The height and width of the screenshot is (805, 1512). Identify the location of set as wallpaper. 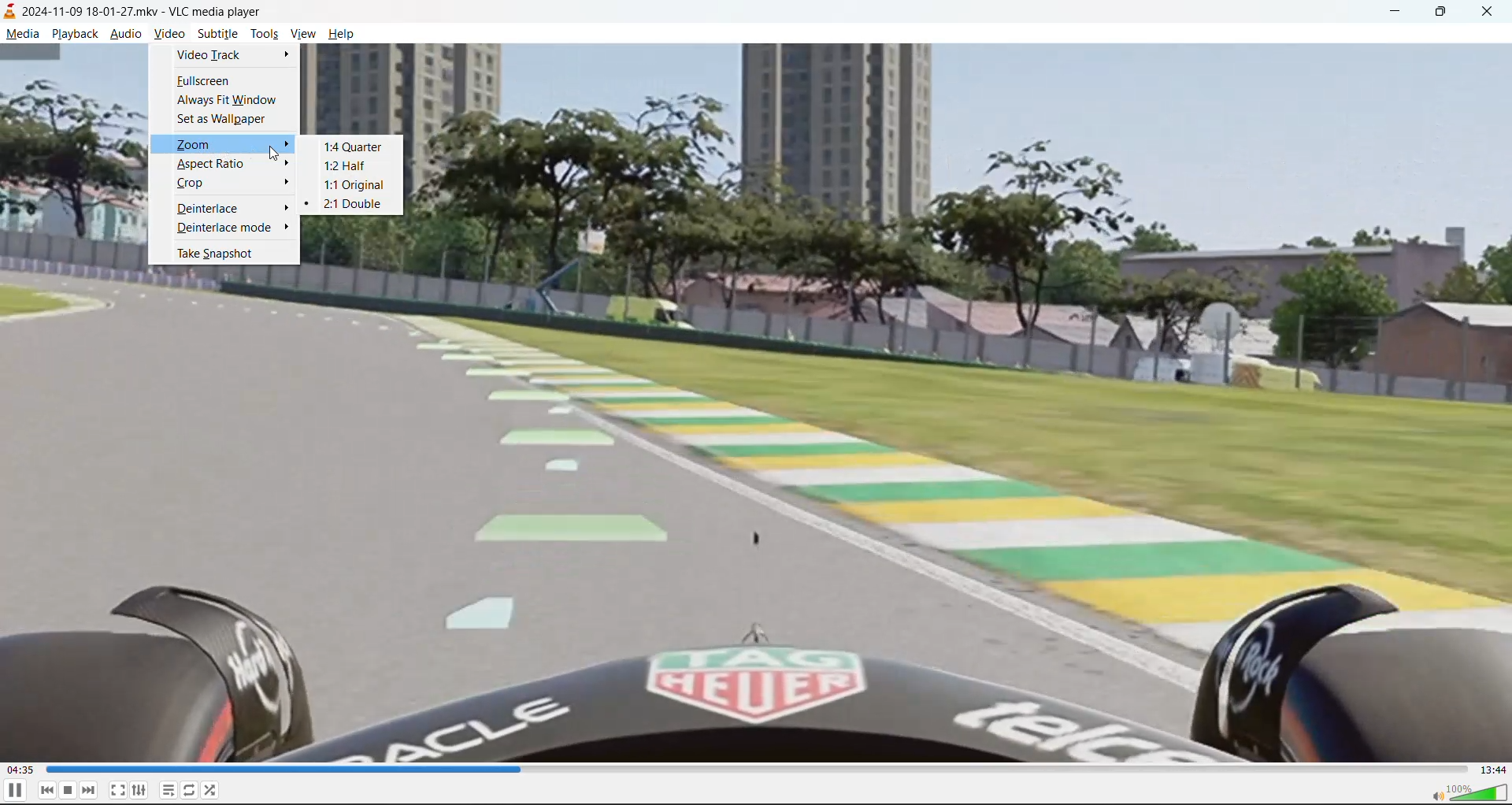
(222, 121).